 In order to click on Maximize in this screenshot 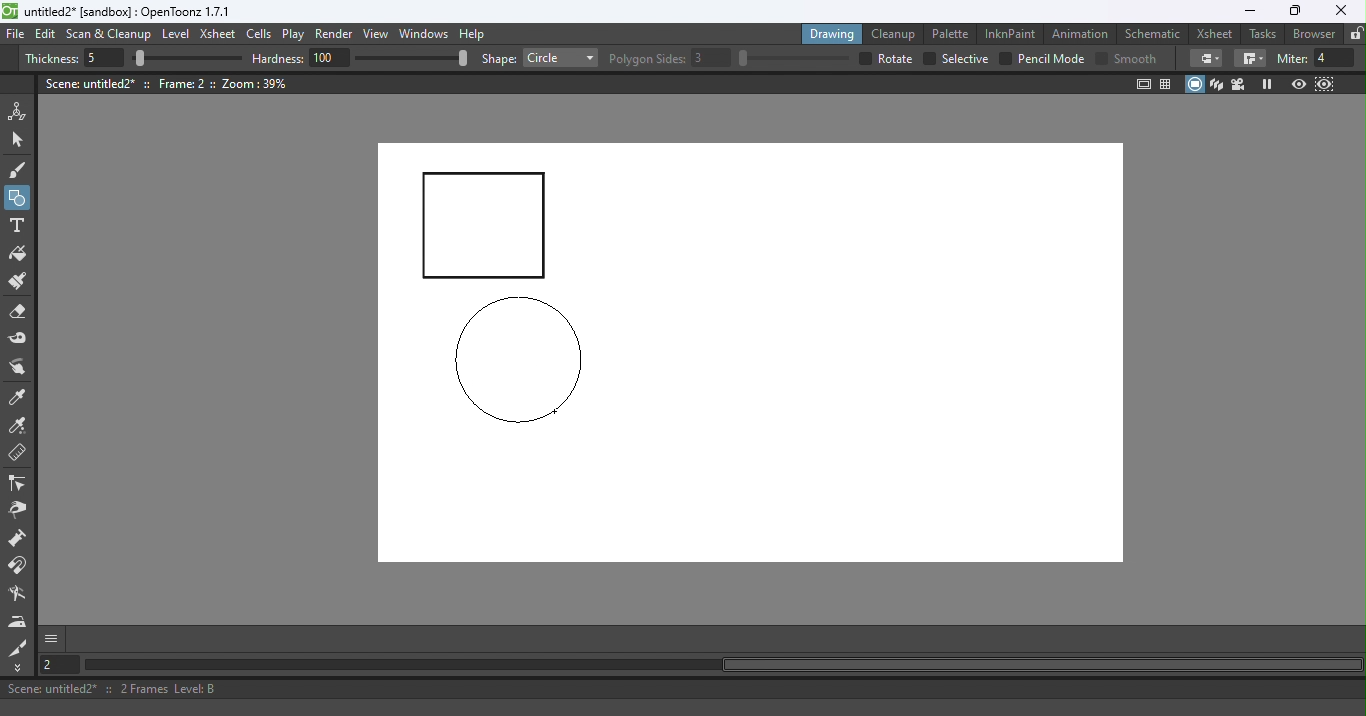, I will do `click(1292, 12)`.